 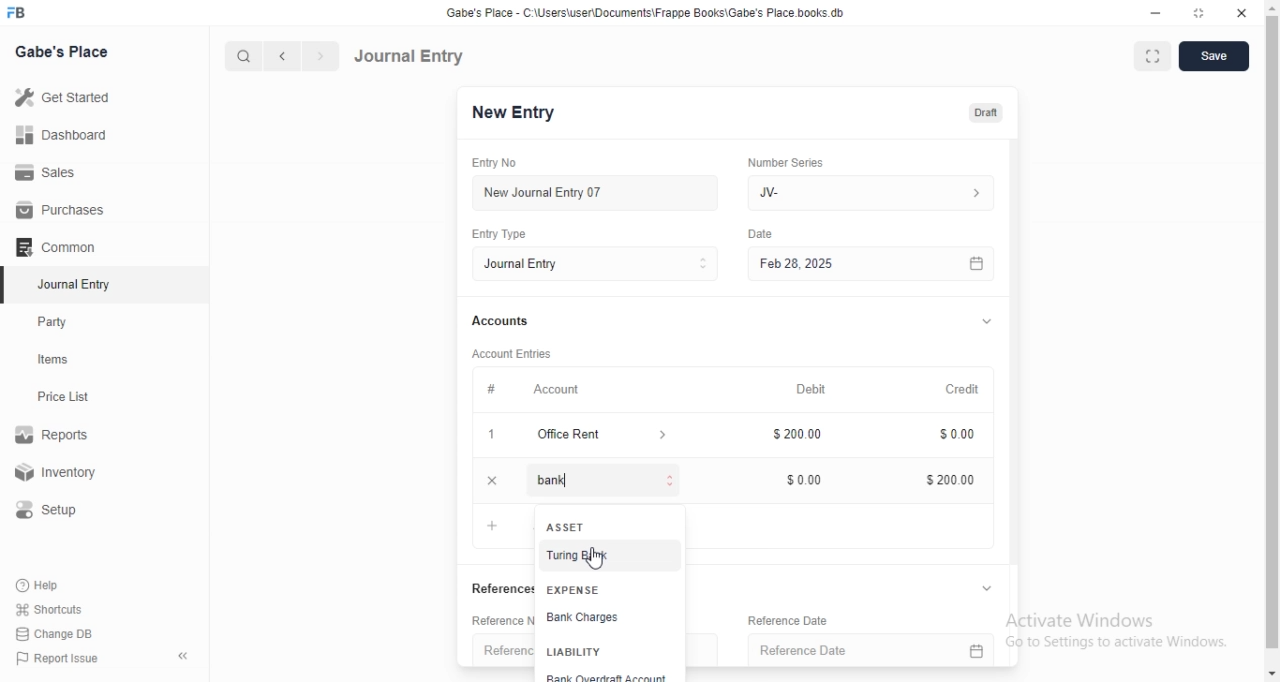 What do you see at coordinates (577, 652) in the screenshot?
I see `liability` at bounding box center [577, 652].